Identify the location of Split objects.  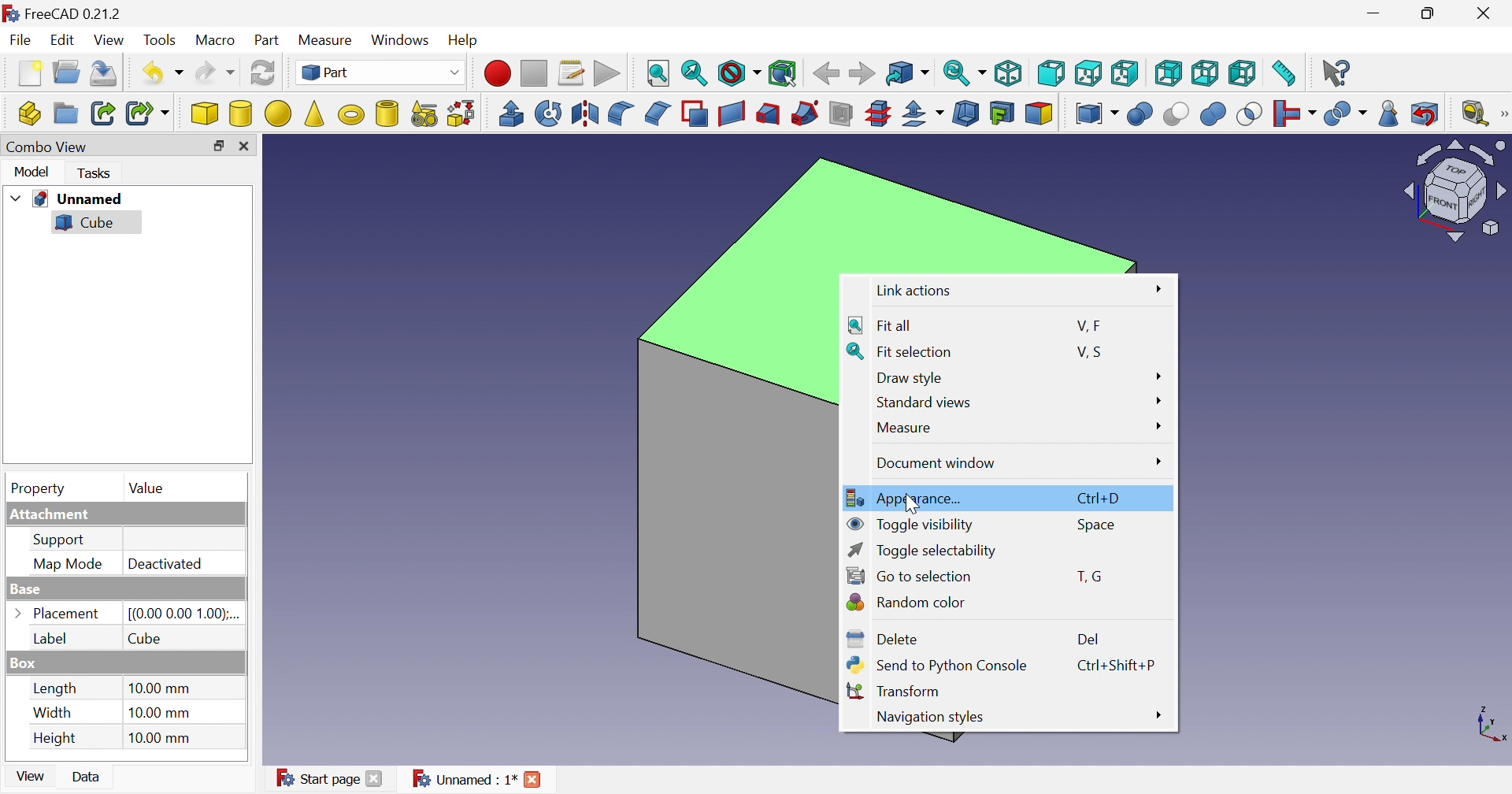
(1347, 115).